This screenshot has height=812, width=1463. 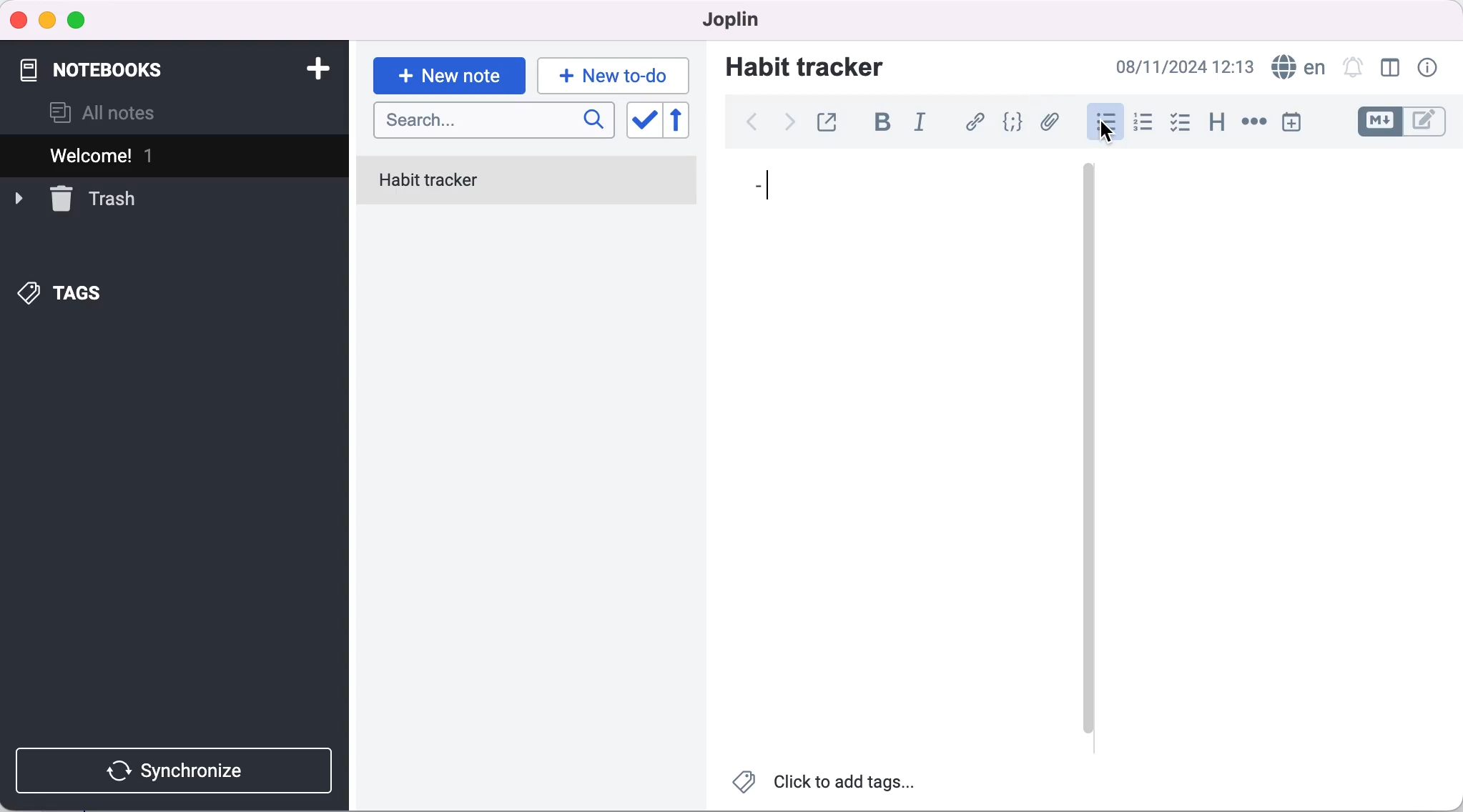 I want to click on vertical slider, so click(x=1088, y=450).